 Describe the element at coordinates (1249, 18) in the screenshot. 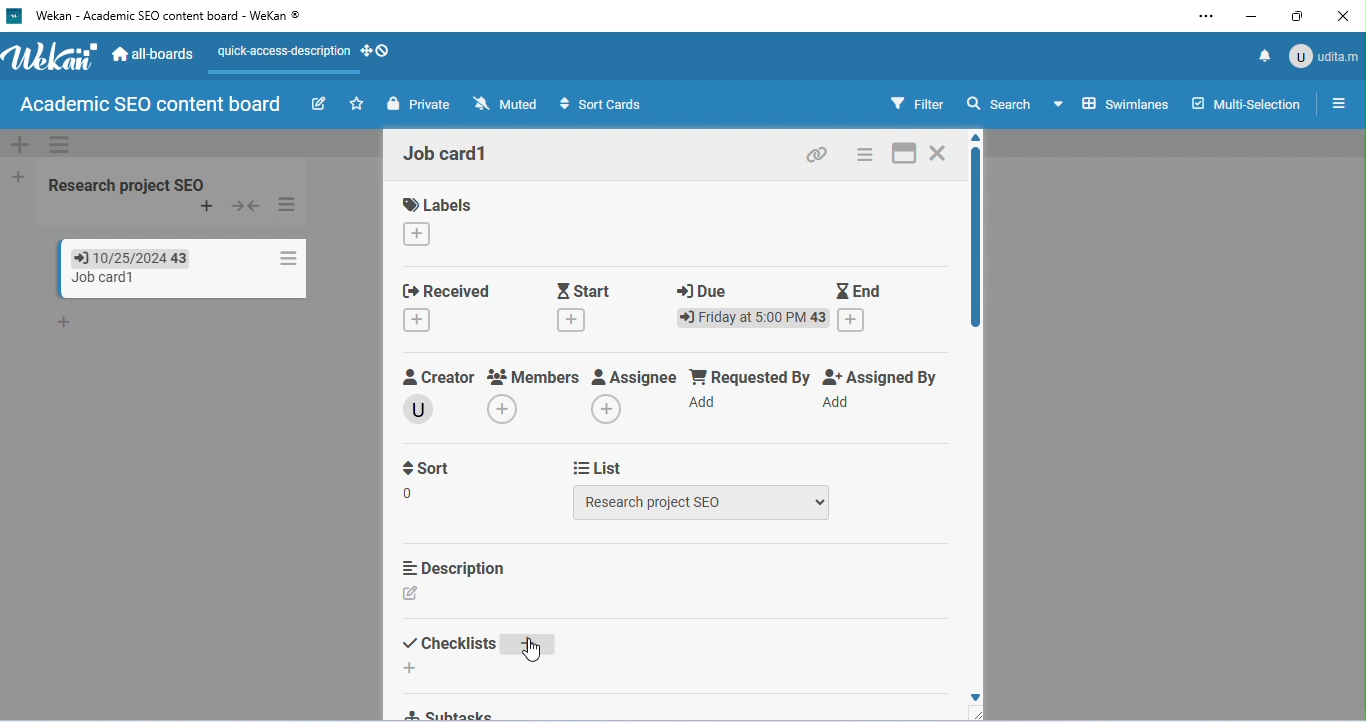

I see `minimize` at that location.